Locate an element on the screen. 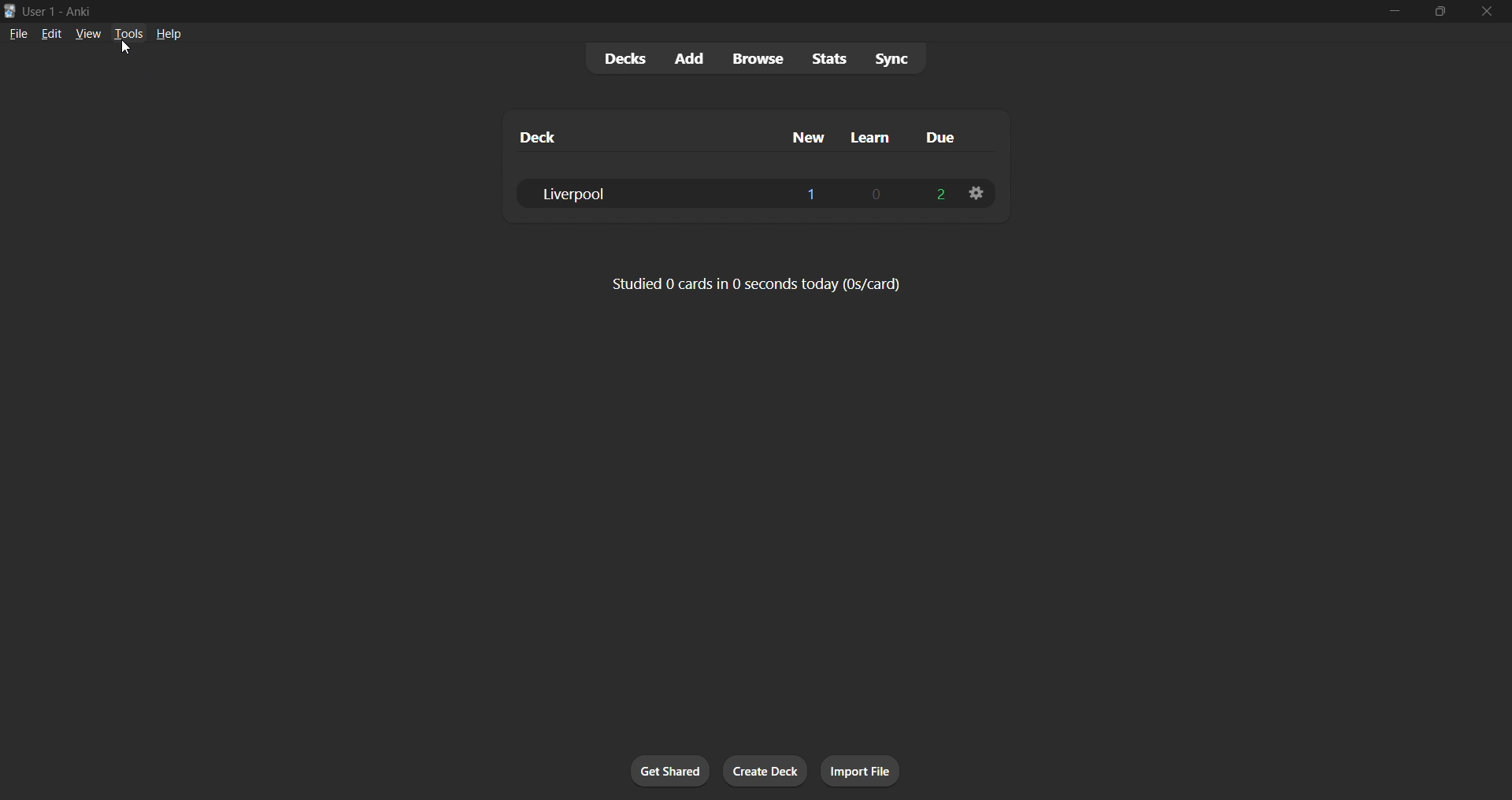 The height and width of the screenshot is (800, 1512). maximize/restore is located at coordinates (1441, 10).